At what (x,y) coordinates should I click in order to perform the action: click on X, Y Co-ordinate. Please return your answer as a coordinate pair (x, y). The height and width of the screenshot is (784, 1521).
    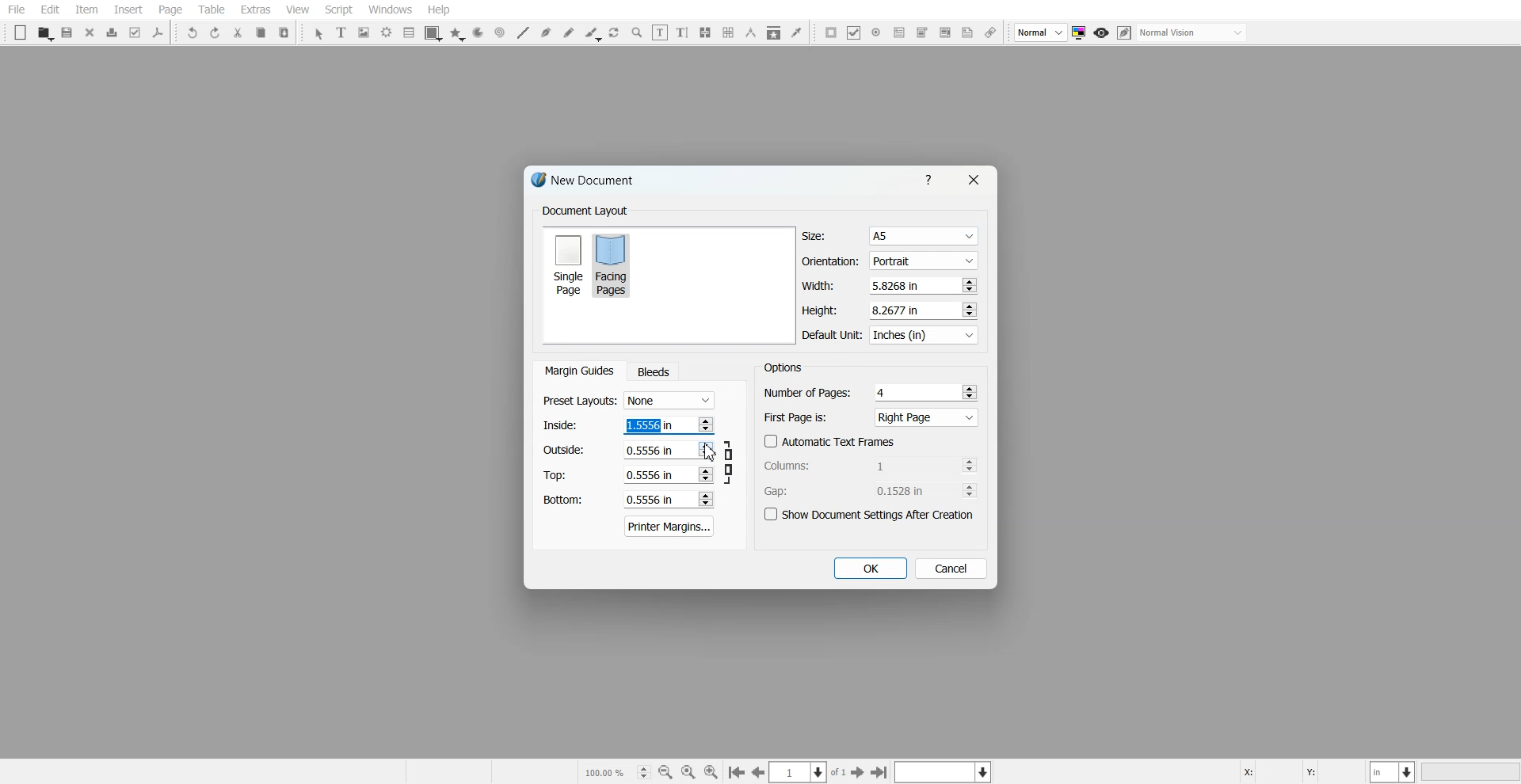
    Looking at the image, I should click on (1302, 771).